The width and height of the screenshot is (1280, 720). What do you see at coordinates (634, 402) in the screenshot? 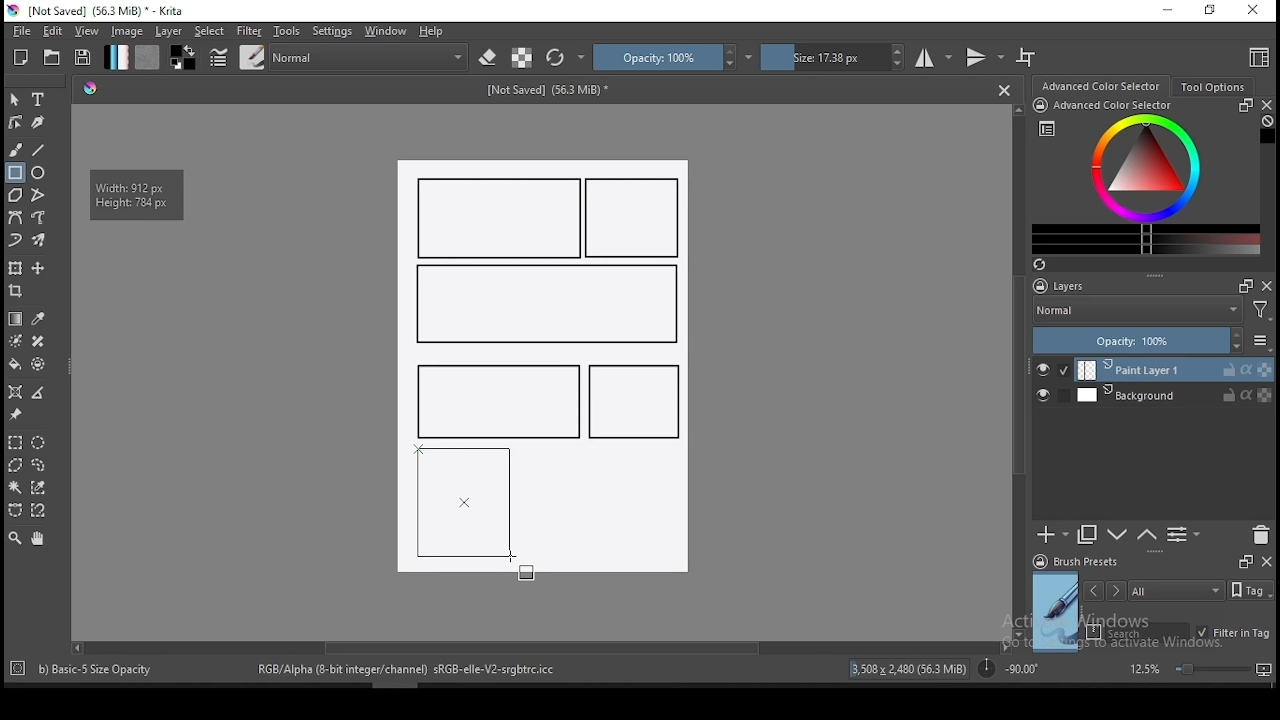
I see `new rectangle` at bounding box center [634, 402].